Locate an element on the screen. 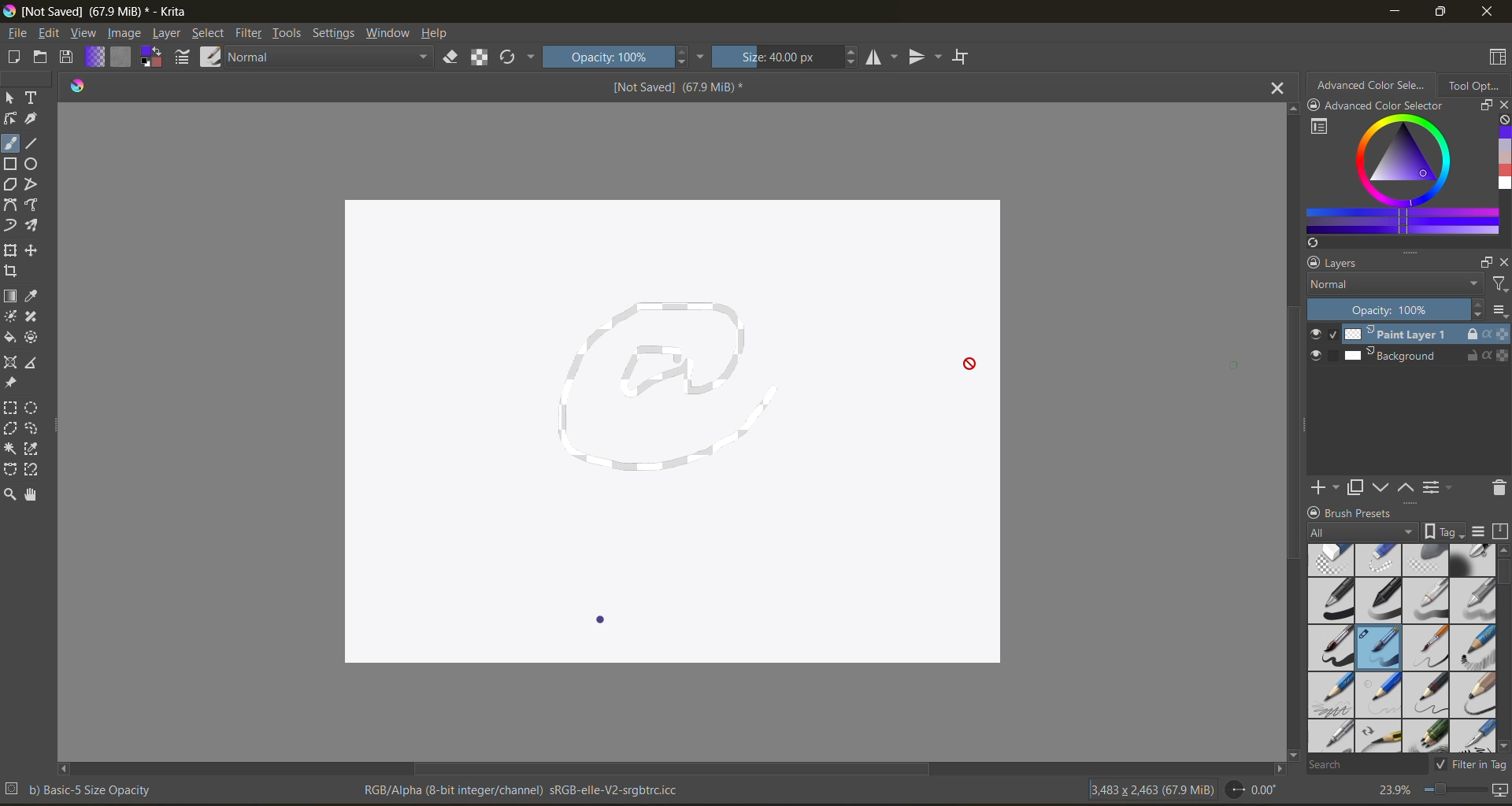 The height and width of the screenshot is (806, 1512). lock docker is located at coordinates (1316, 105).